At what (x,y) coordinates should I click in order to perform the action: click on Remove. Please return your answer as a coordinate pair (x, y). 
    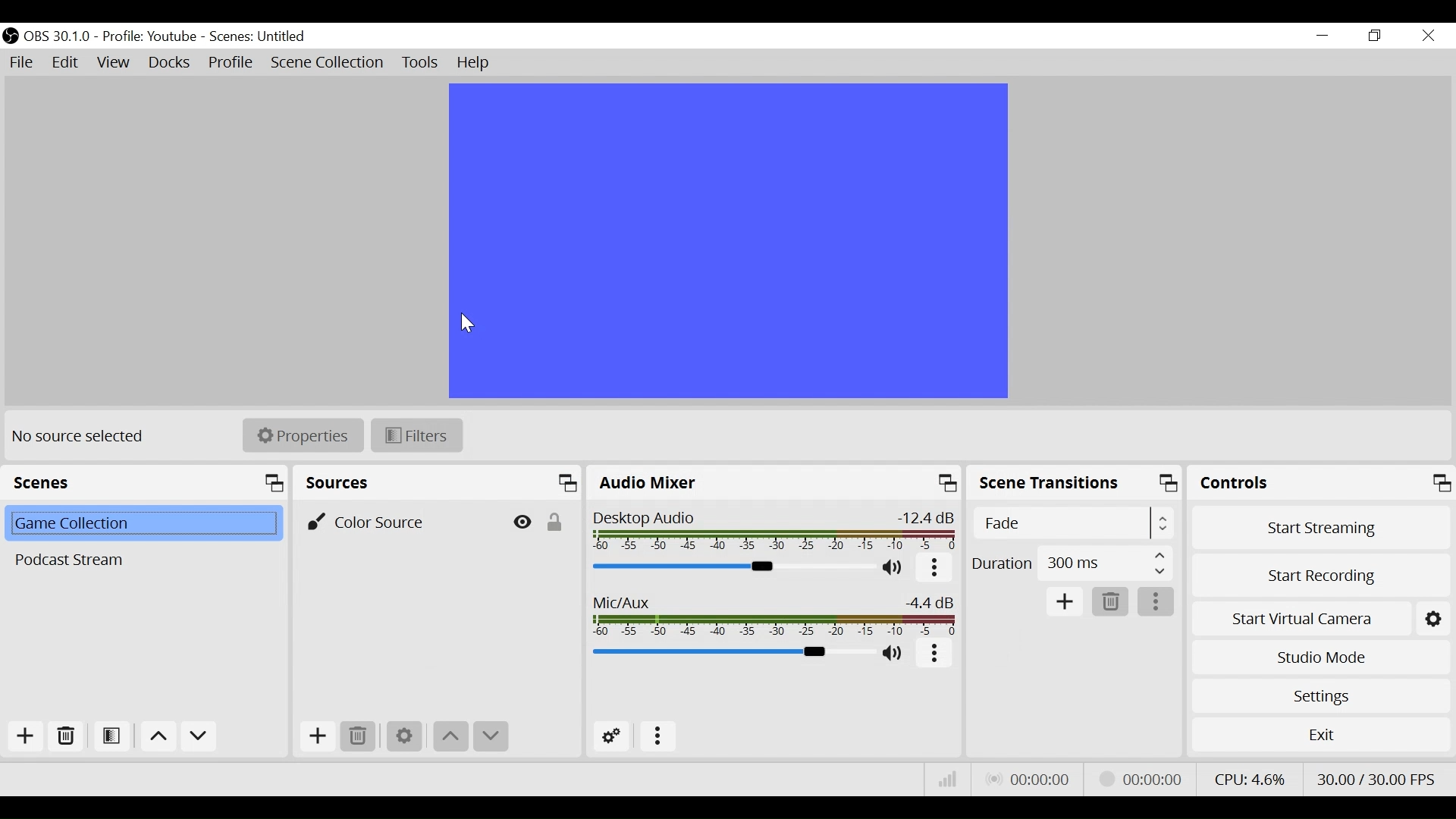
    Looking at the image, I should click on (64, 736).